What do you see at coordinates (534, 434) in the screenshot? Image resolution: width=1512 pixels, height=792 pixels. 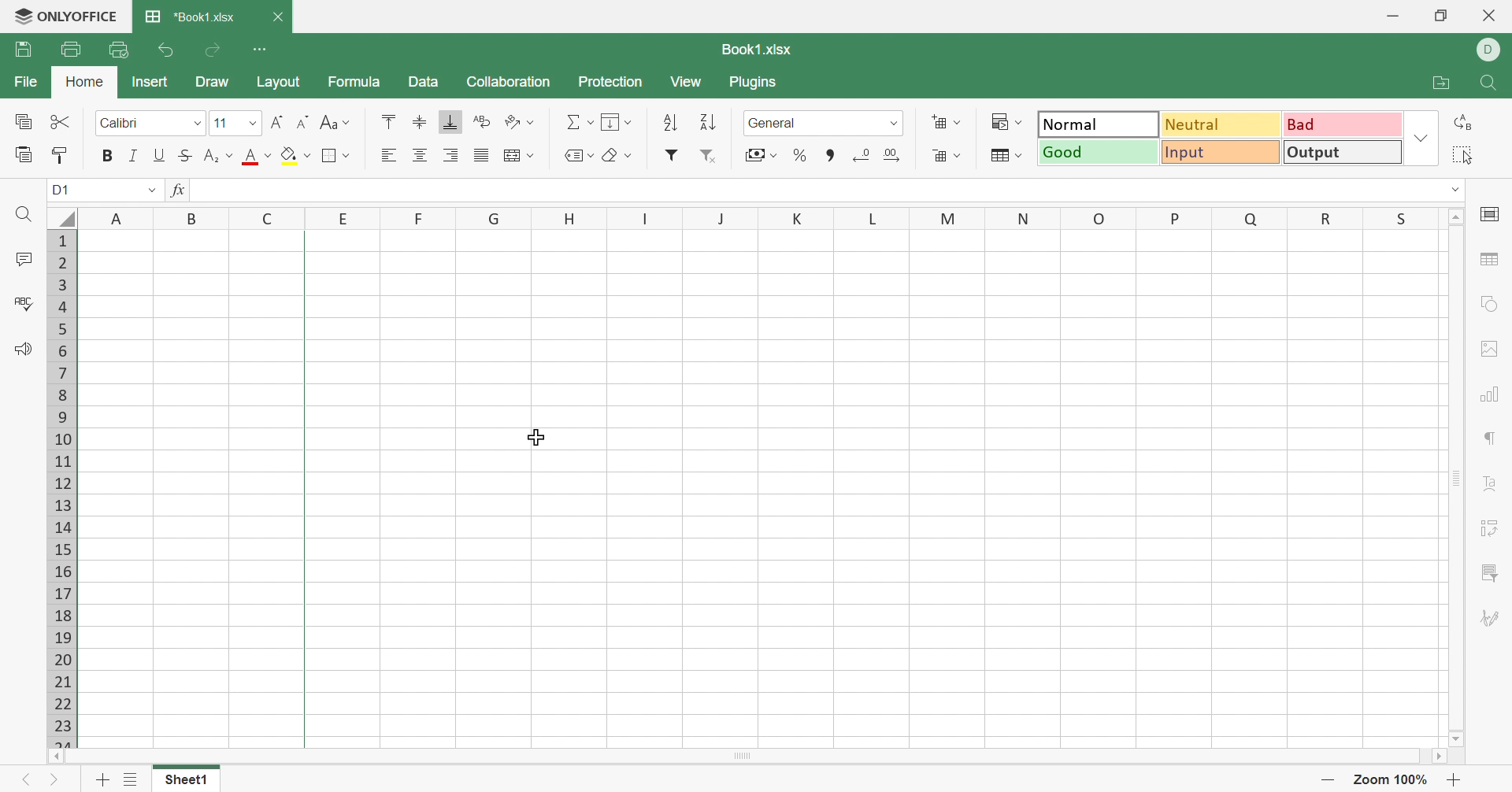 I see `Cursor` at bounding box center [534, 434].